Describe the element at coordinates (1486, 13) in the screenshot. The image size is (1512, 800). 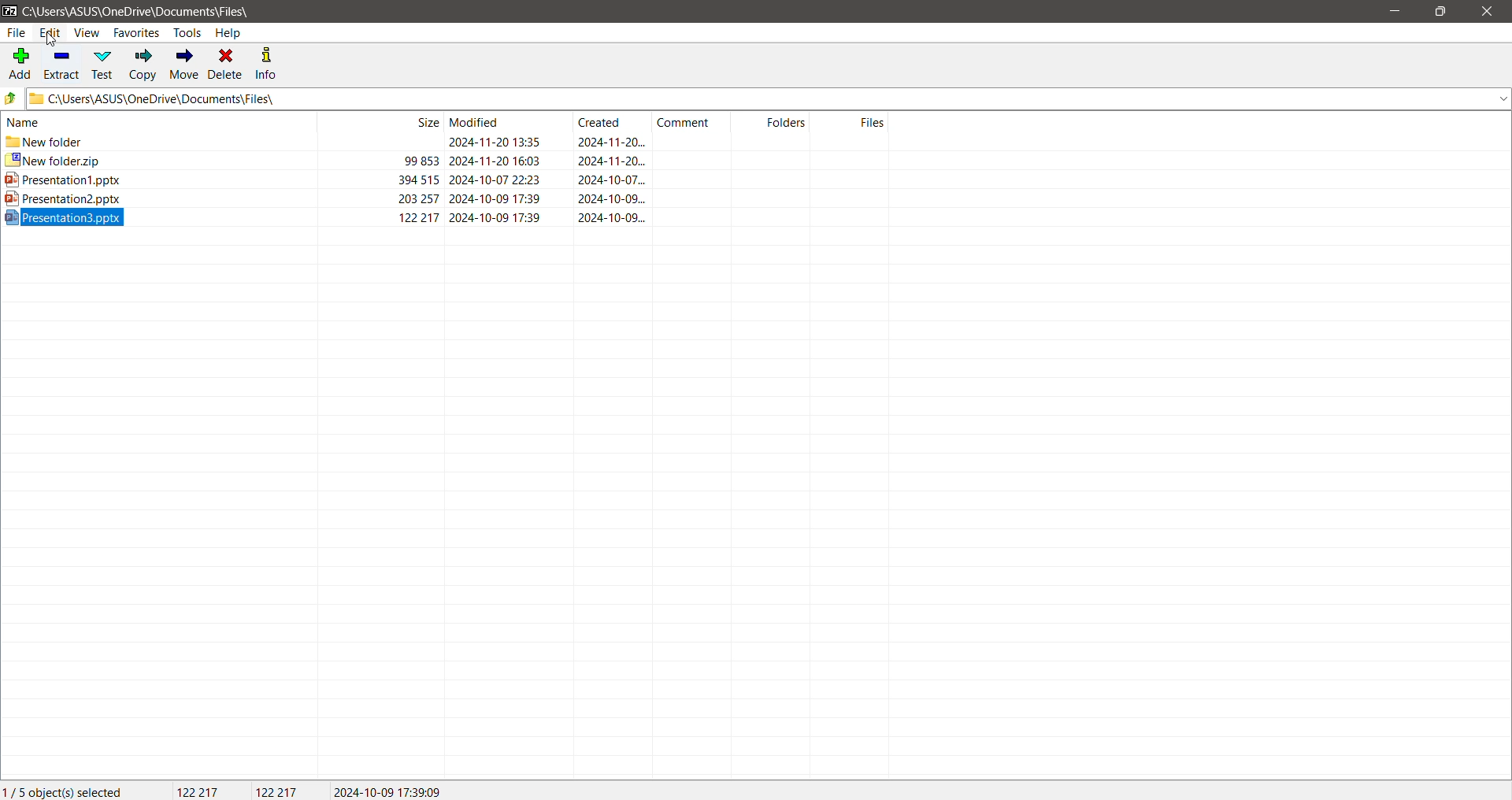
I see `Close` at that location.